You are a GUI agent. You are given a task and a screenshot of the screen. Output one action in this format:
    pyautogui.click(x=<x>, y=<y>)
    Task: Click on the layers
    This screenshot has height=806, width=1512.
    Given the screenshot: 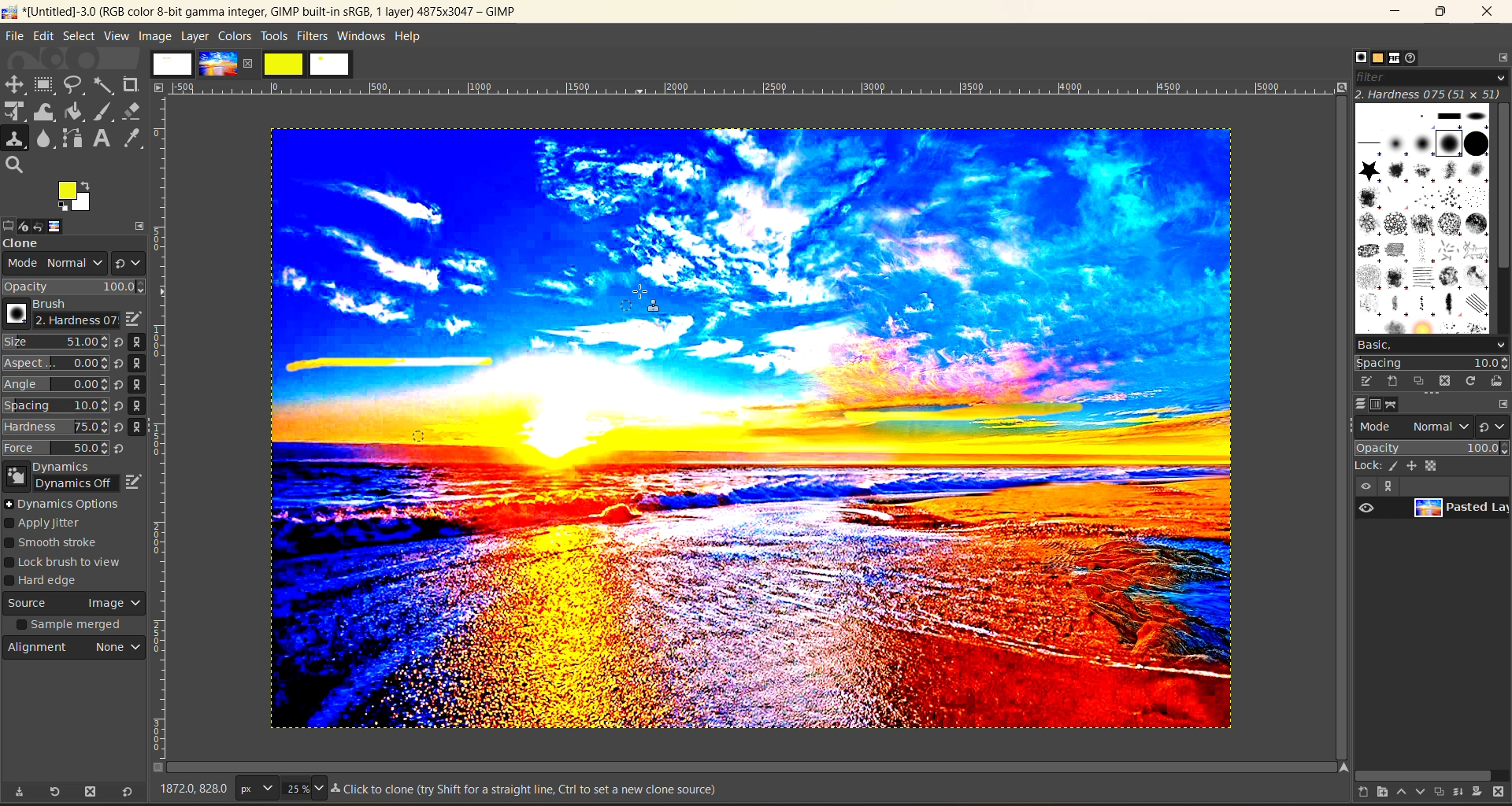 What is the action you would take?
    pyautogui.click(x=1355, y=405)
    